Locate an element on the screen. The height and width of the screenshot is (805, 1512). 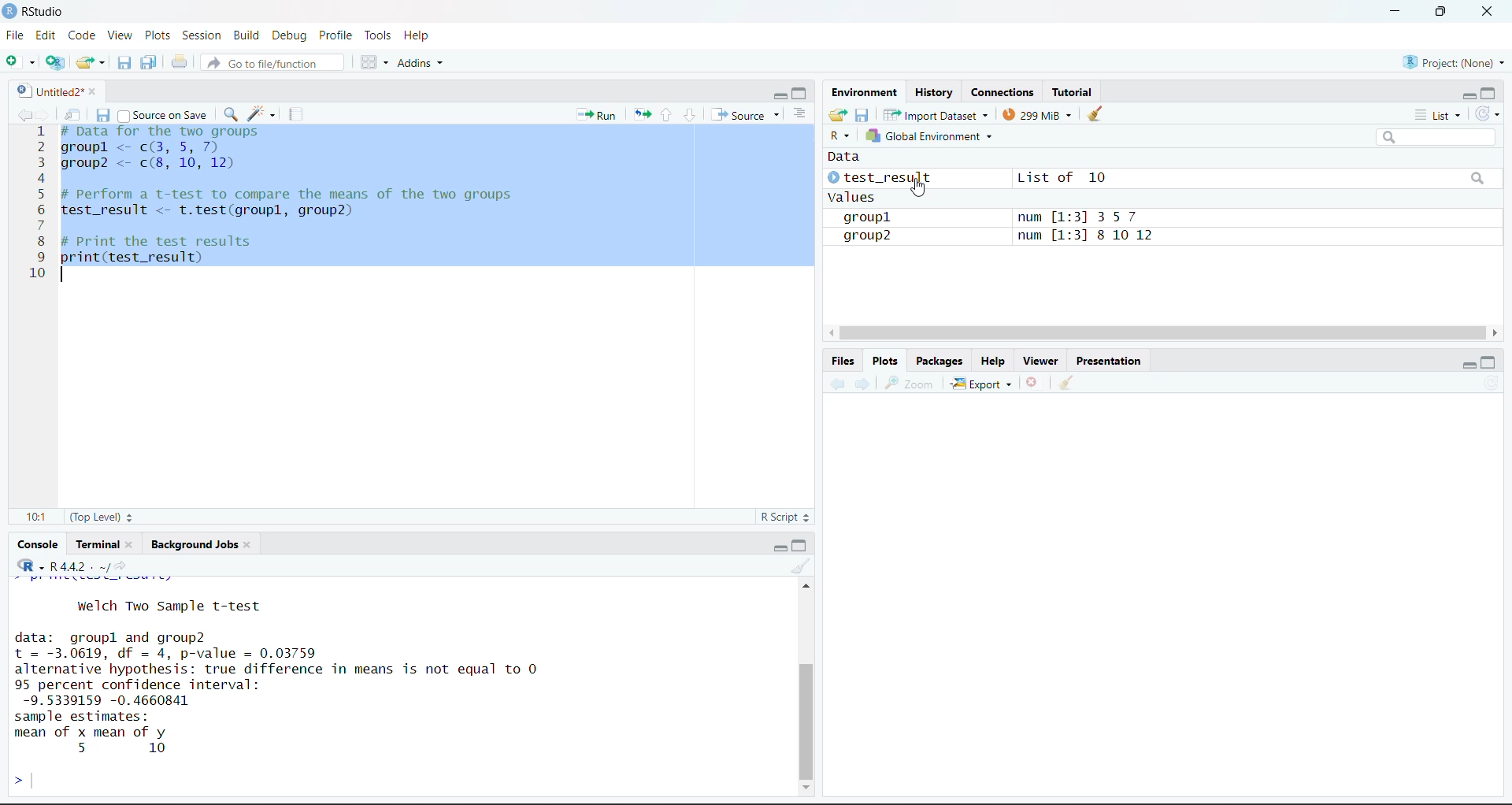
move up is located at coordinates (806, 586).